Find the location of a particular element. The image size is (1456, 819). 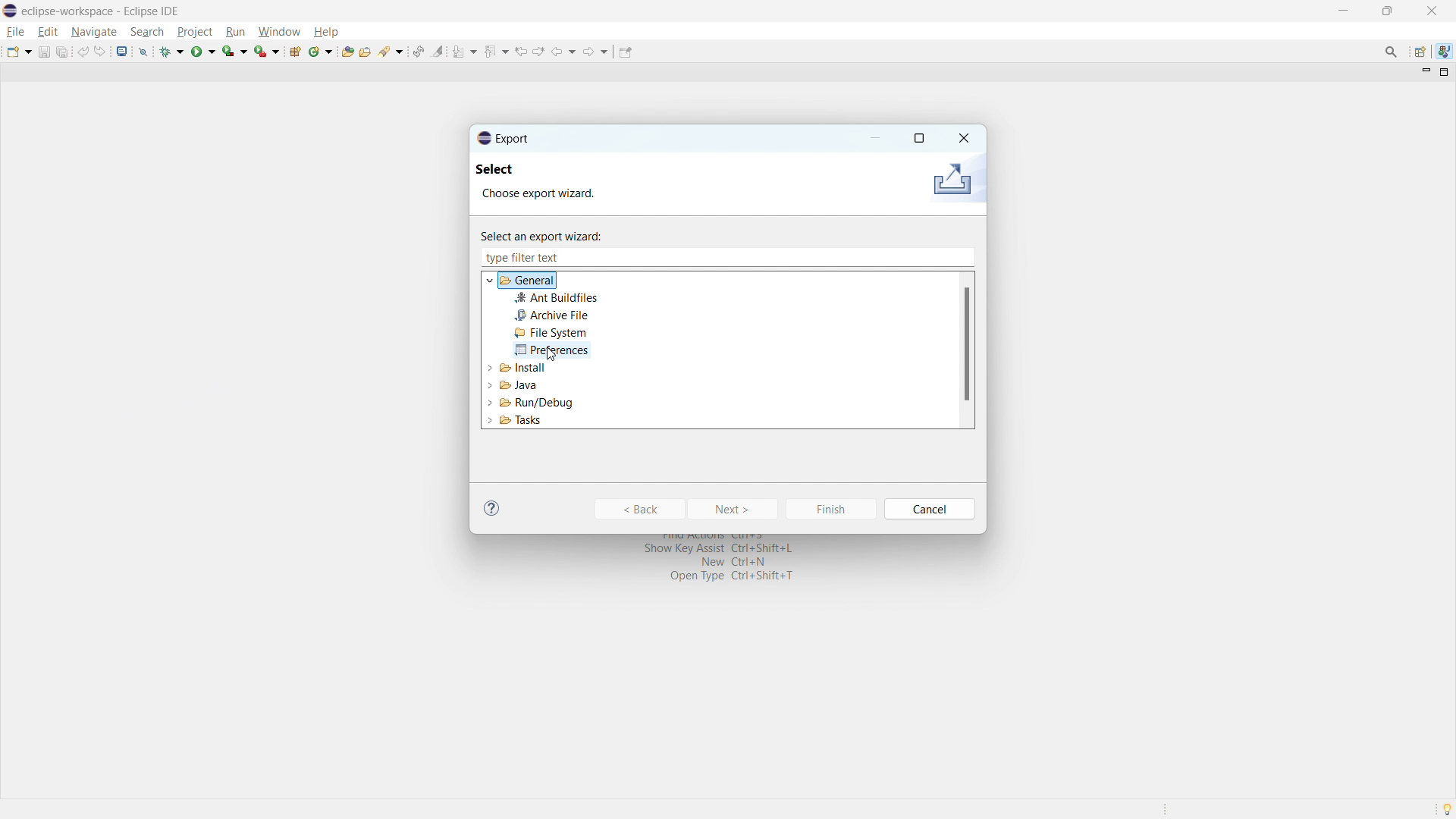

view next location is located at coordinates (539, 51).